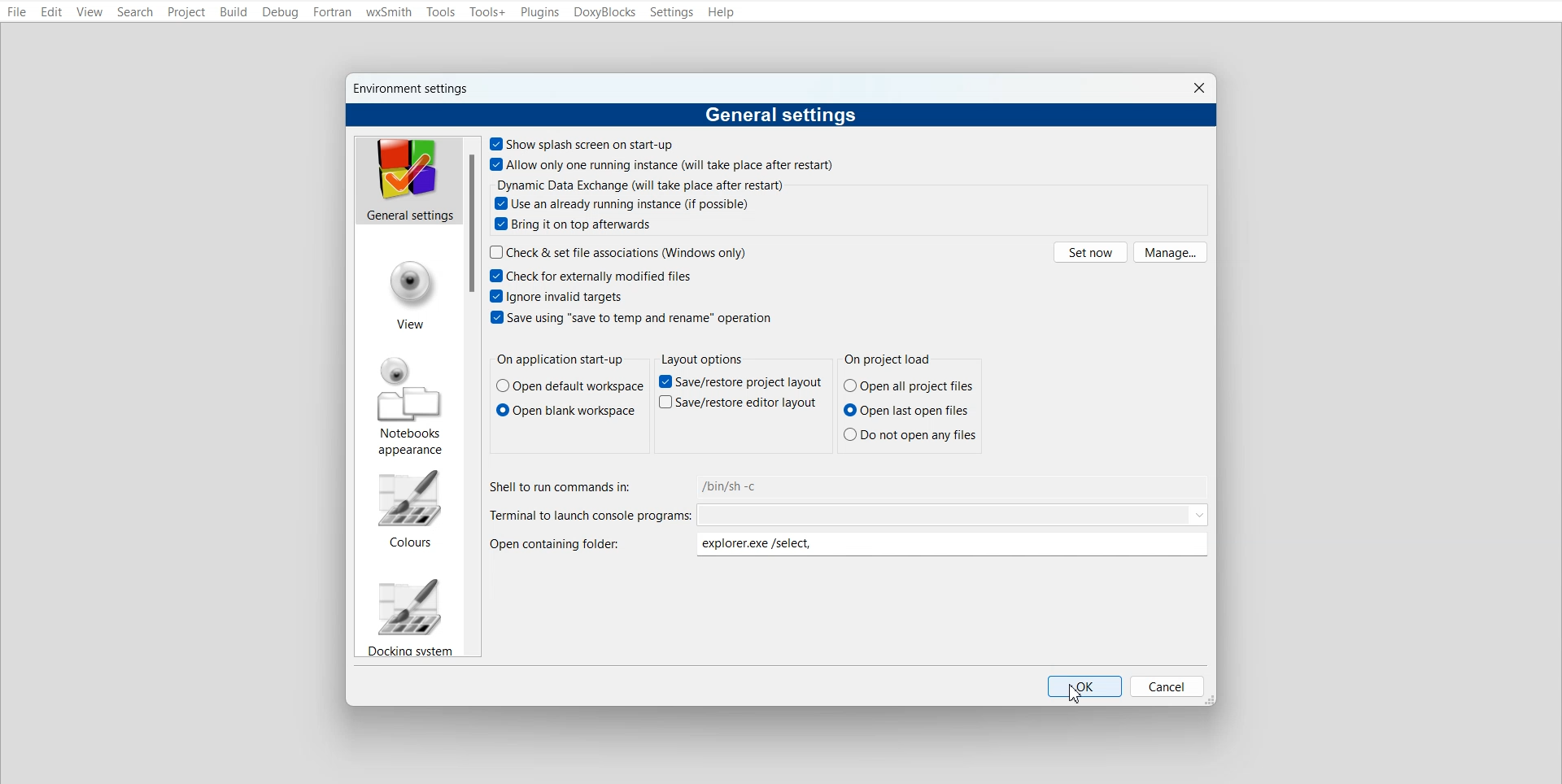 This screenshot has height=784, width=1562. I want to click on Project, so click(187, 12).